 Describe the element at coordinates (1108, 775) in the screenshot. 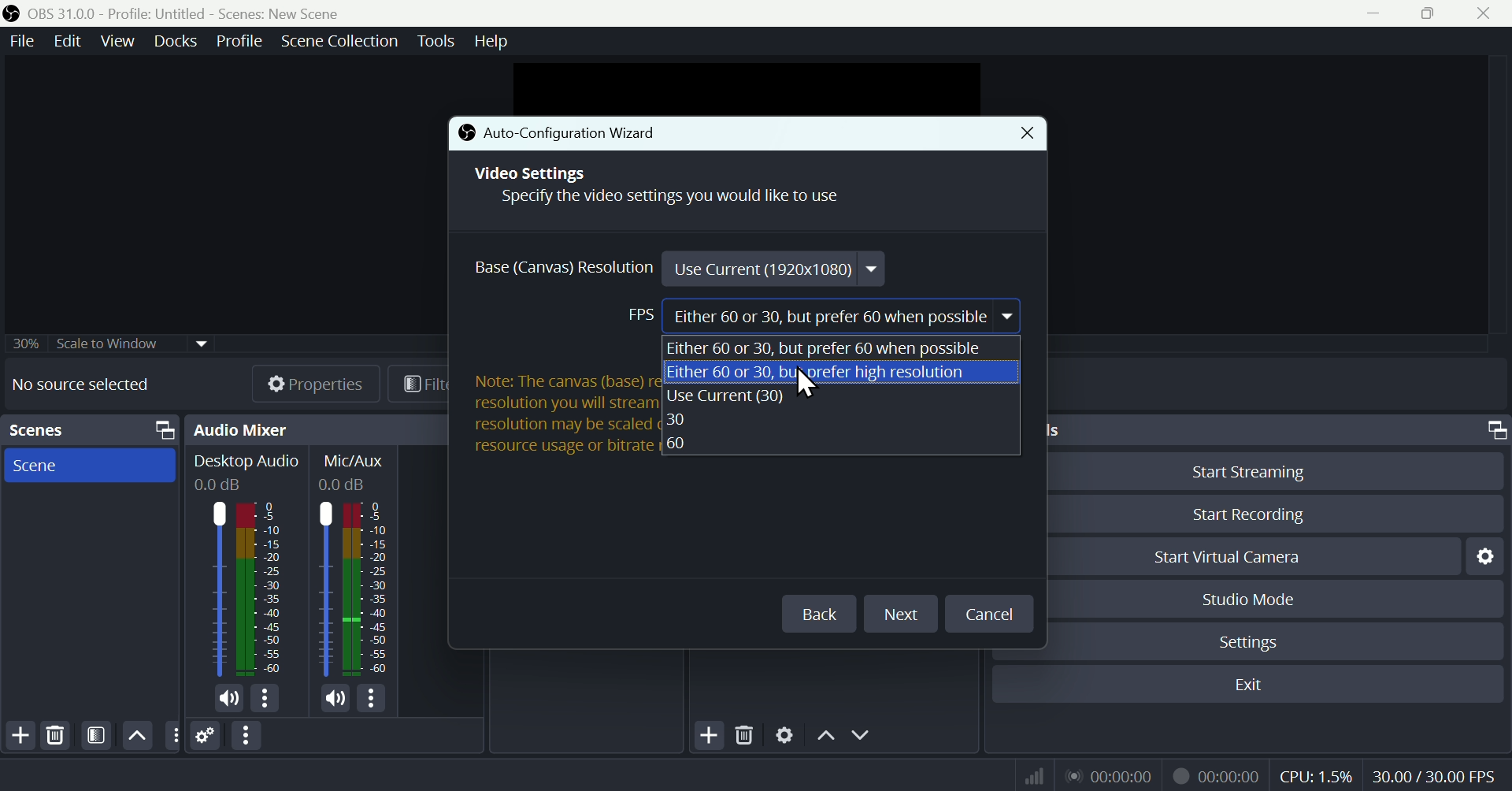

I see `Audio recorder` at that location.